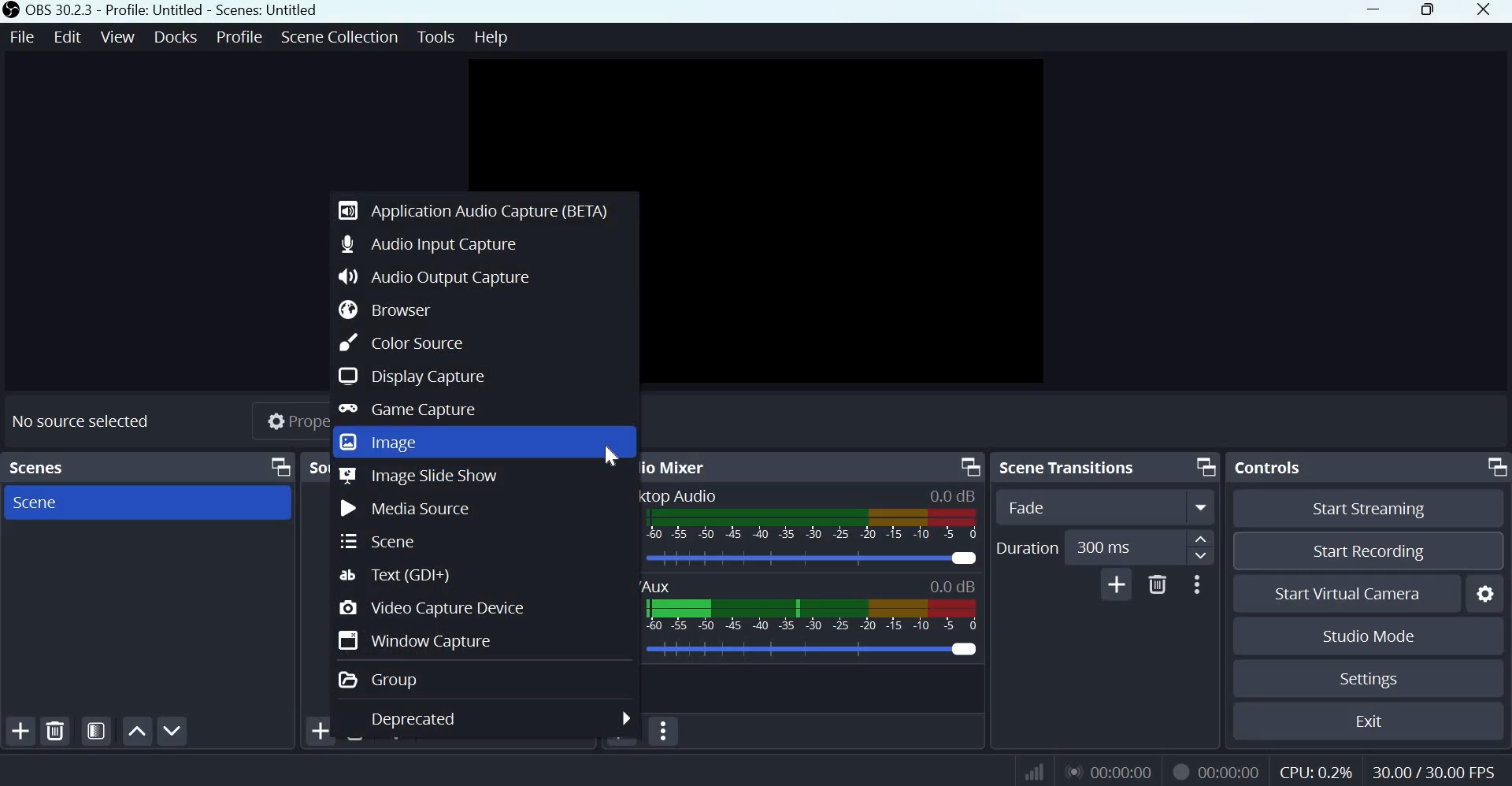 This screenshot has width=1512, height=786. I want to click on profile, so click(241, 35).